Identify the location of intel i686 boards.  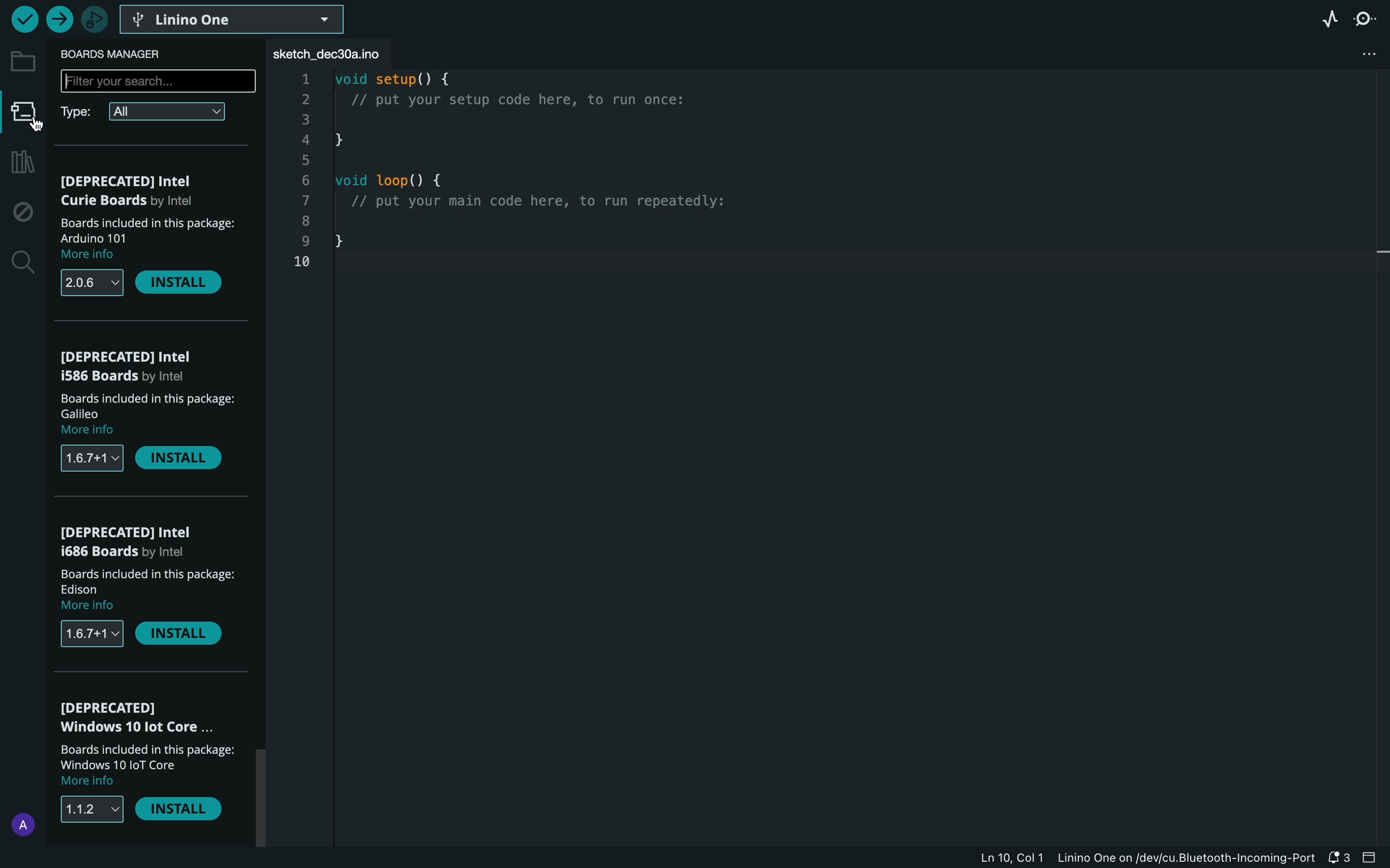
(129, 541).